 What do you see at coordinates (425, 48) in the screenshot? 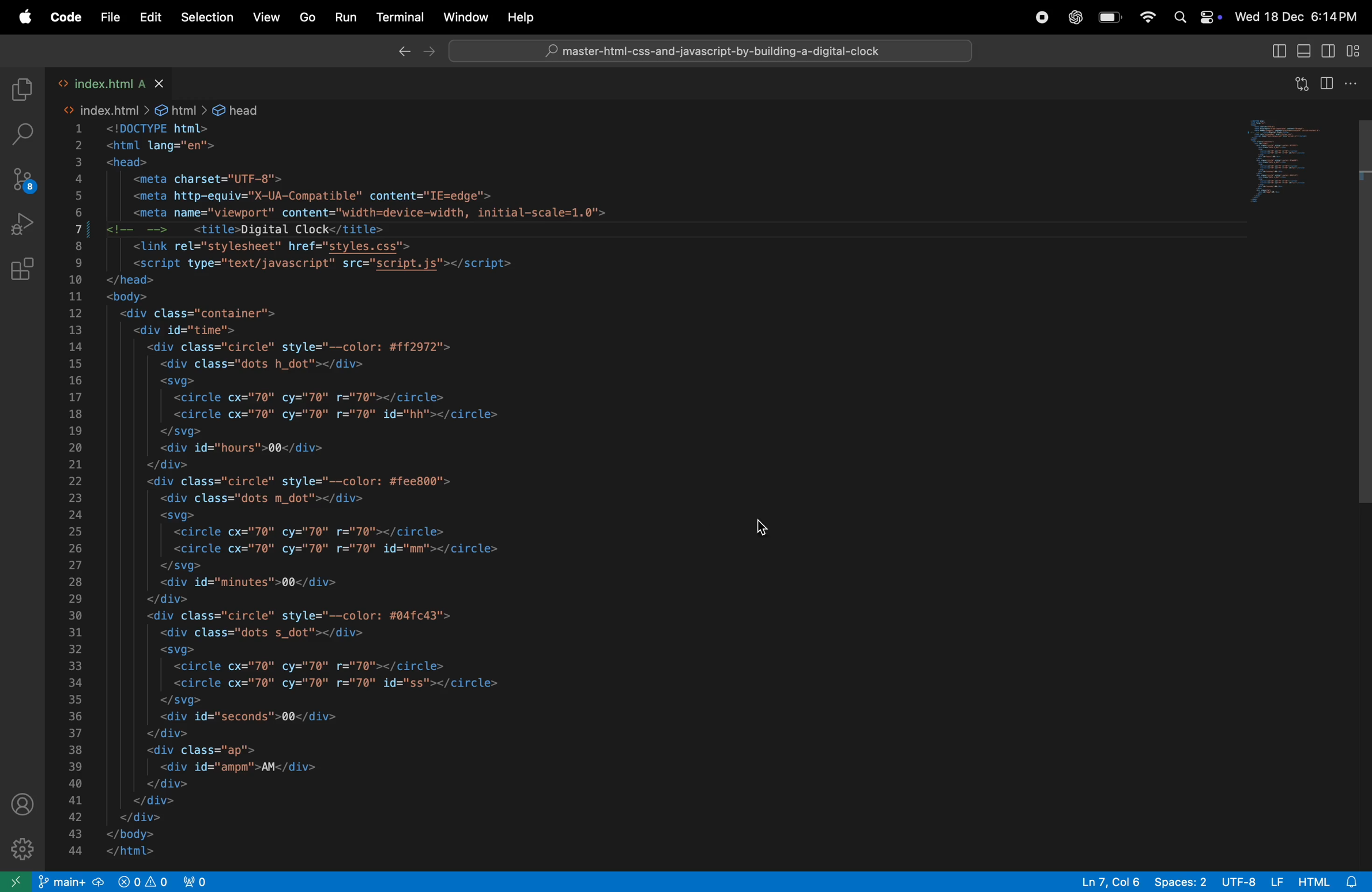
I see `Back` at bounding box center [425, 48].